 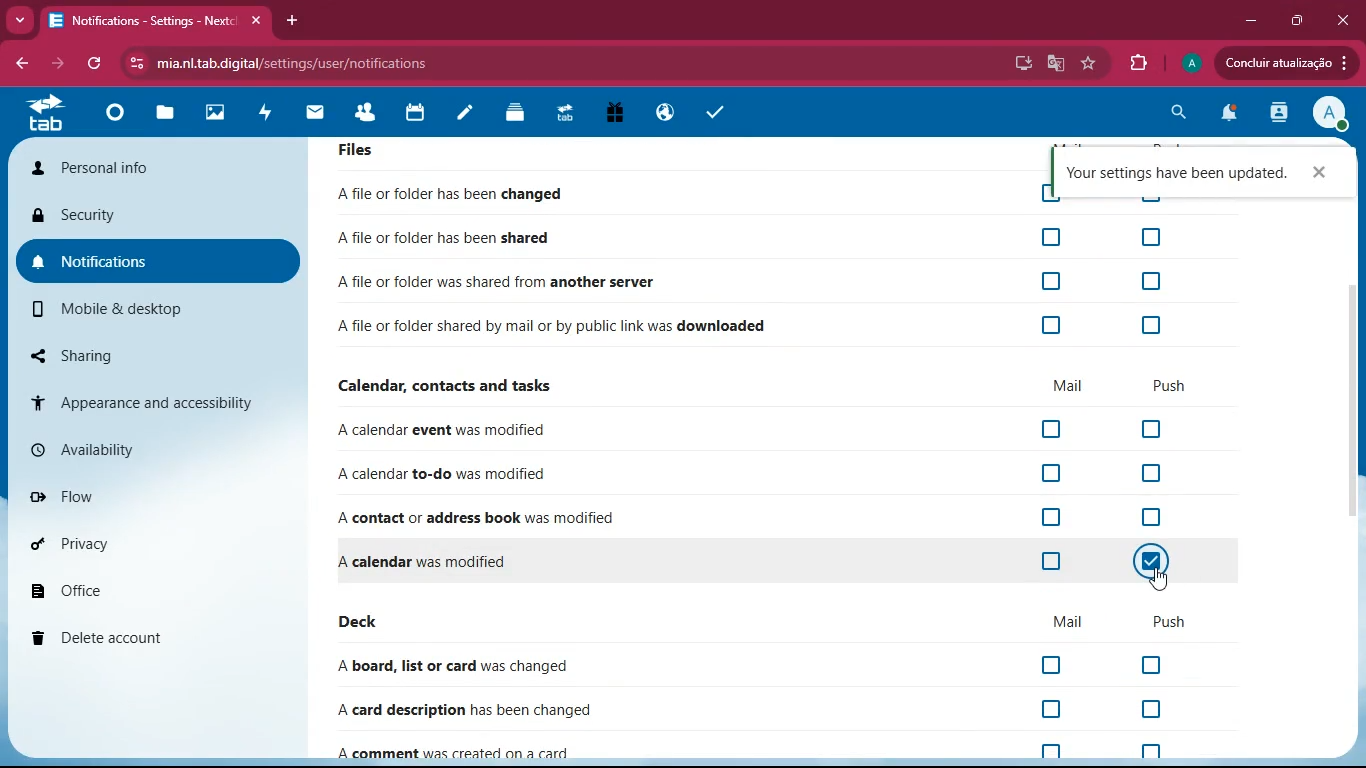 I want to click on appearance, so click(x=140, y=400).